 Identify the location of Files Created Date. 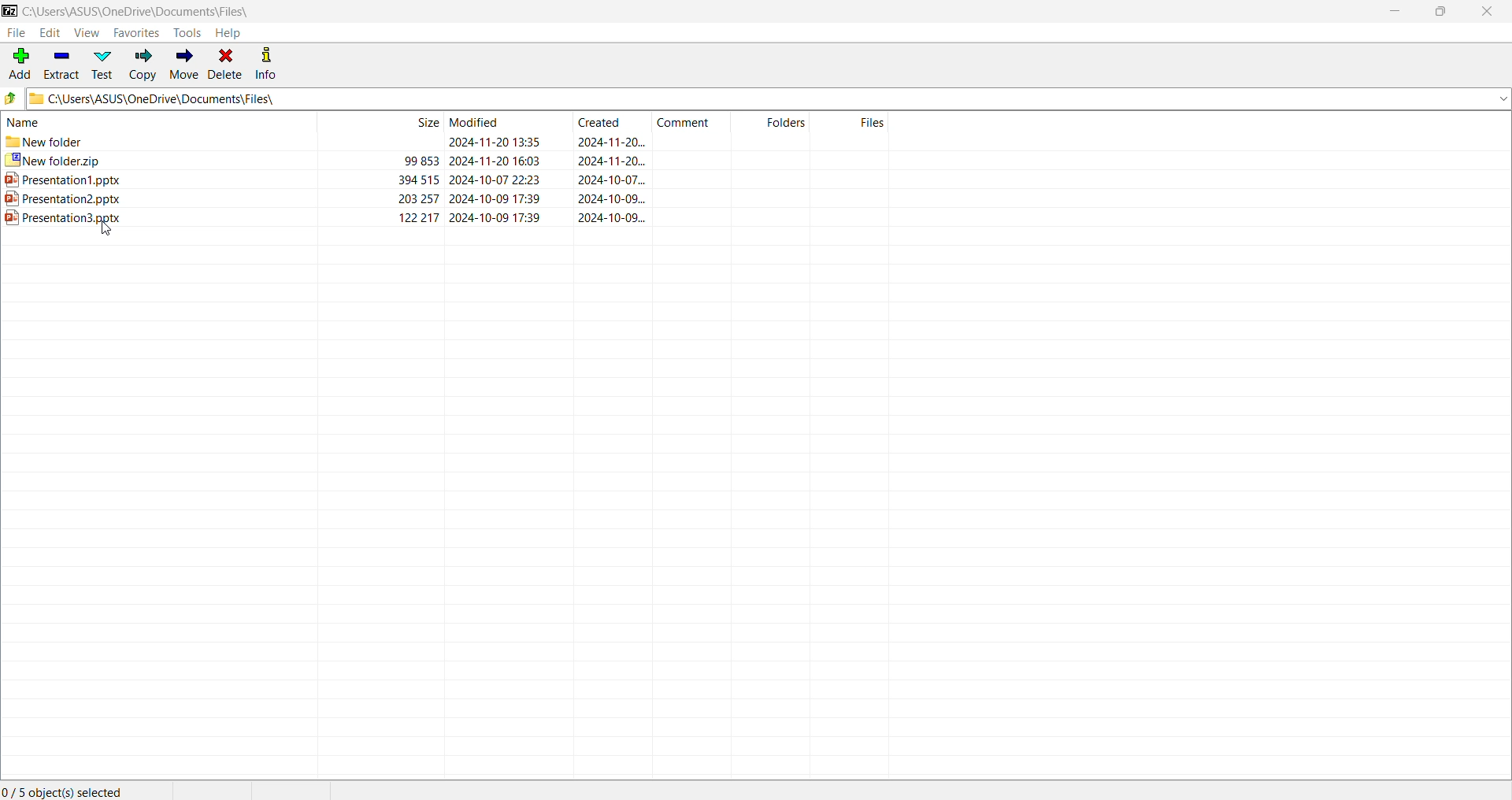
(613, 122).